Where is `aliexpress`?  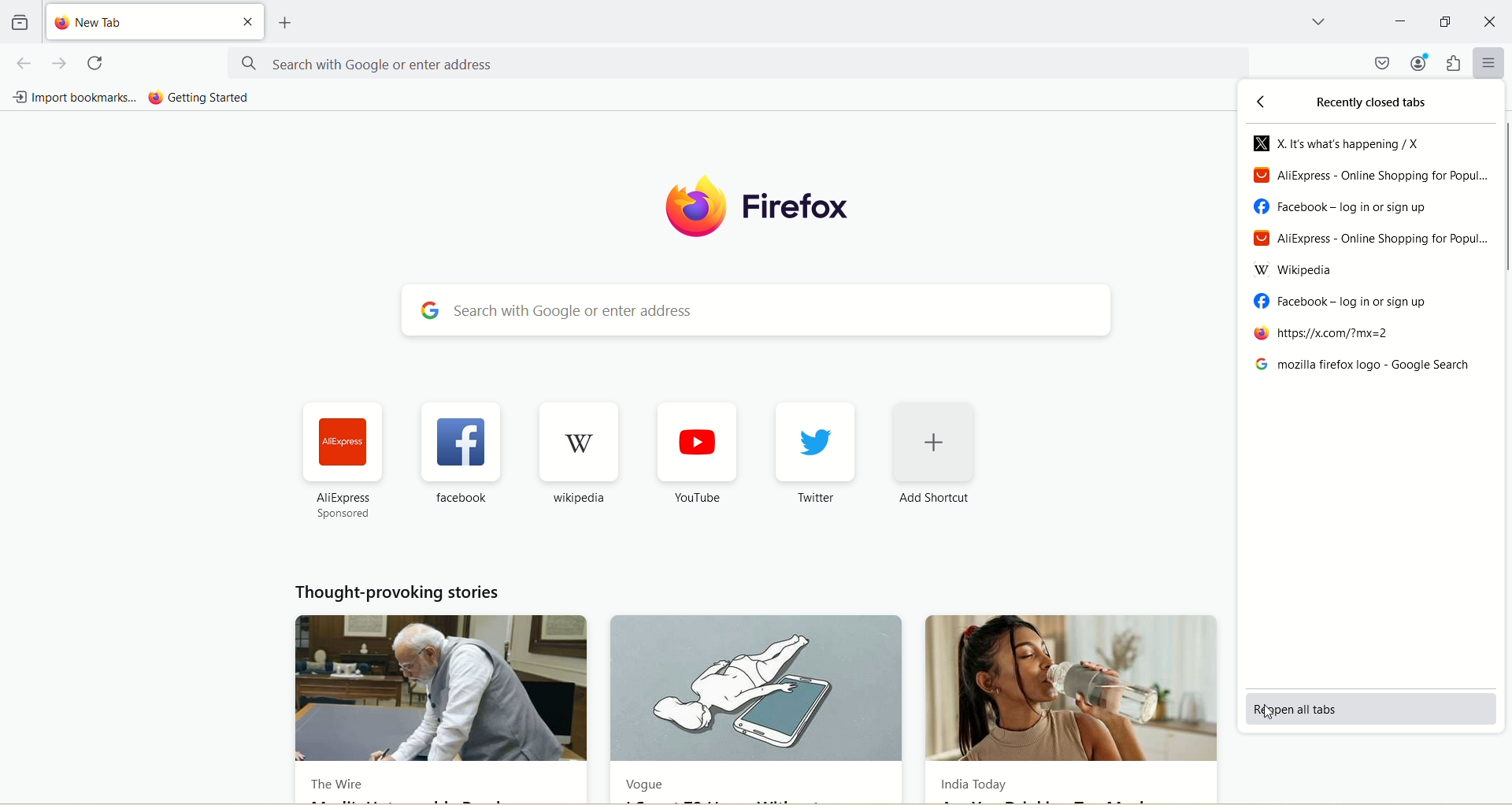
aliexpress is located at coordinates (344, 445).